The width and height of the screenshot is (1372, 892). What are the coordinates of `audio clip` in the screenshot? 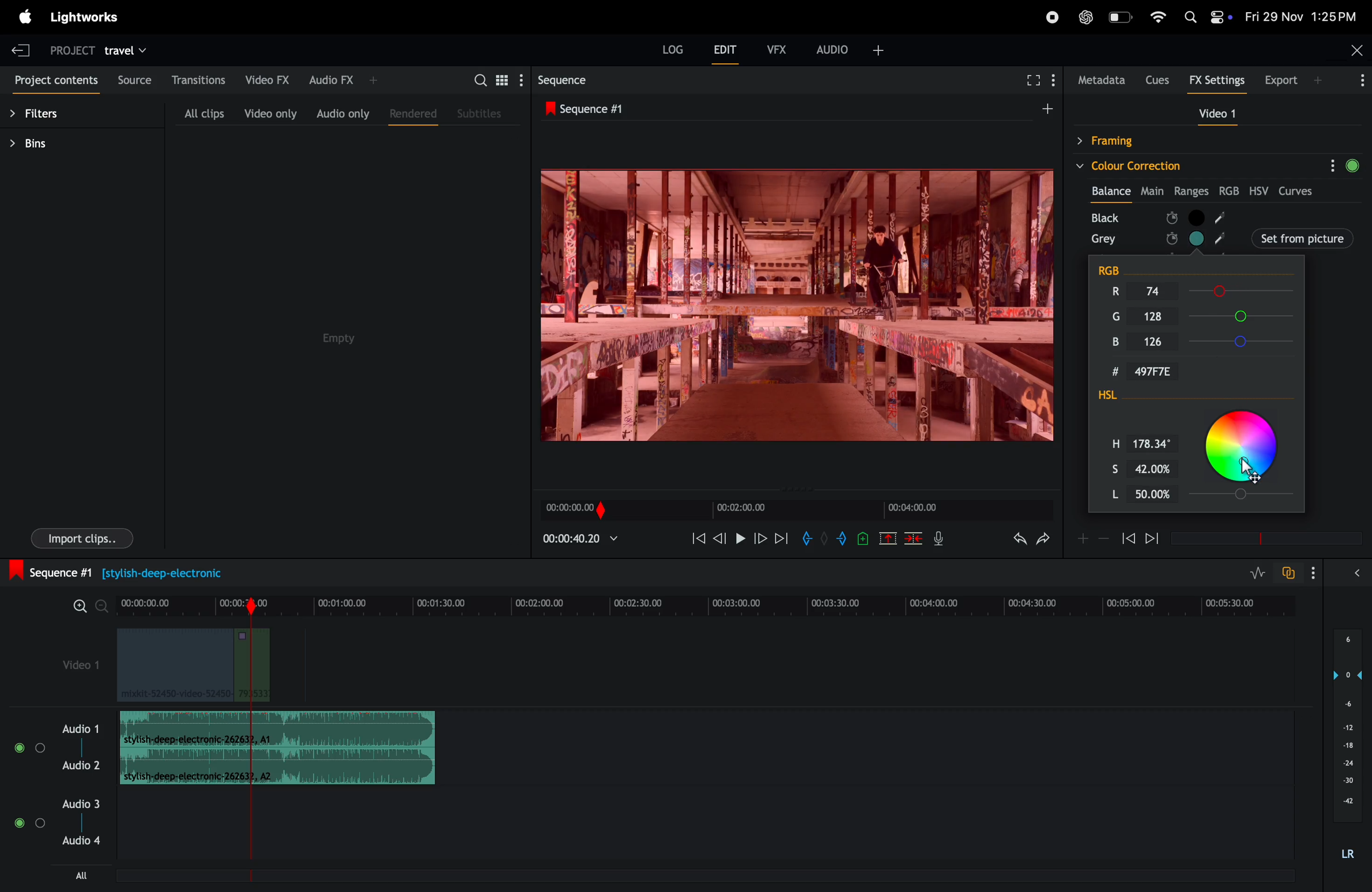 It's located at (278, 729).